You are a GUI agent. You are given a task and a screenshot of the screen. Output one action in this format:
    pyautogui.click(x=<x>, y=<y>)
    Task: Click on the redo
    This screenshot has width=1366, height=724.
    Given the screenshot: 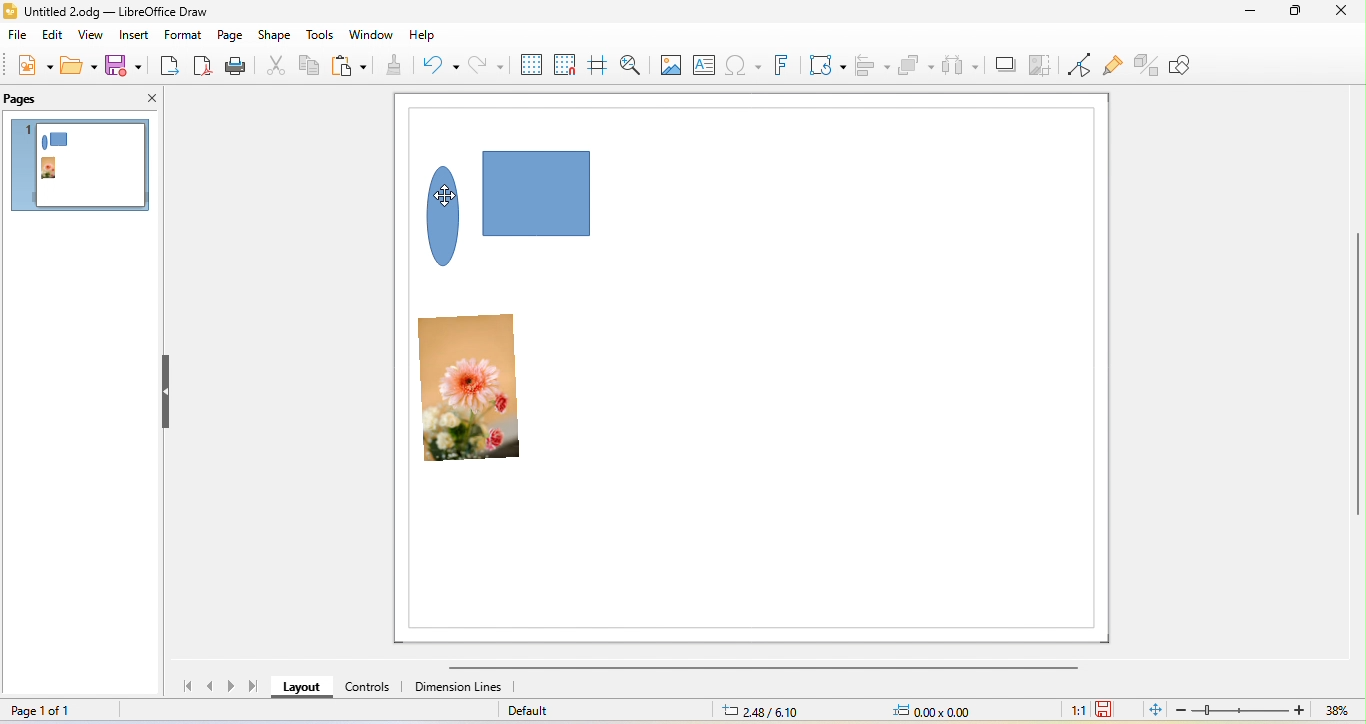 What is the action you would take?
    pyautogui.click(x=486, y=64)
    